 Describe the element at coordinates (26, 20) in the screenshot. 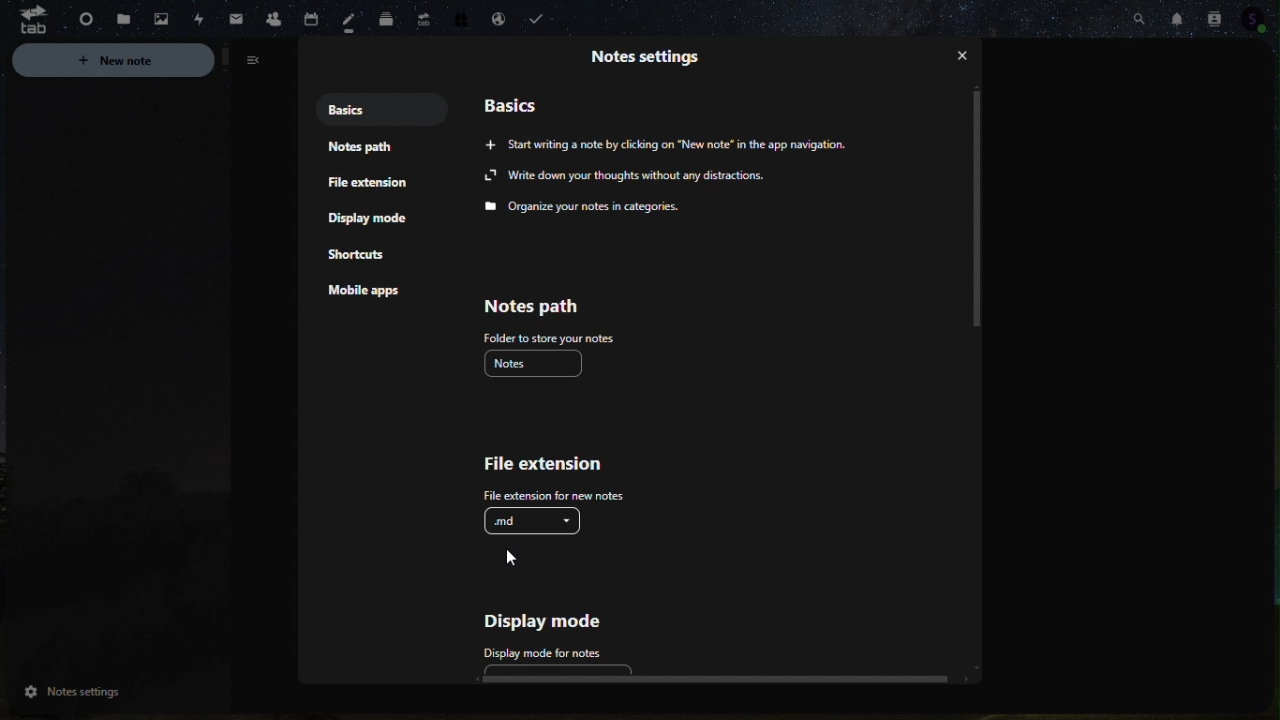

I see `tab` at that location.